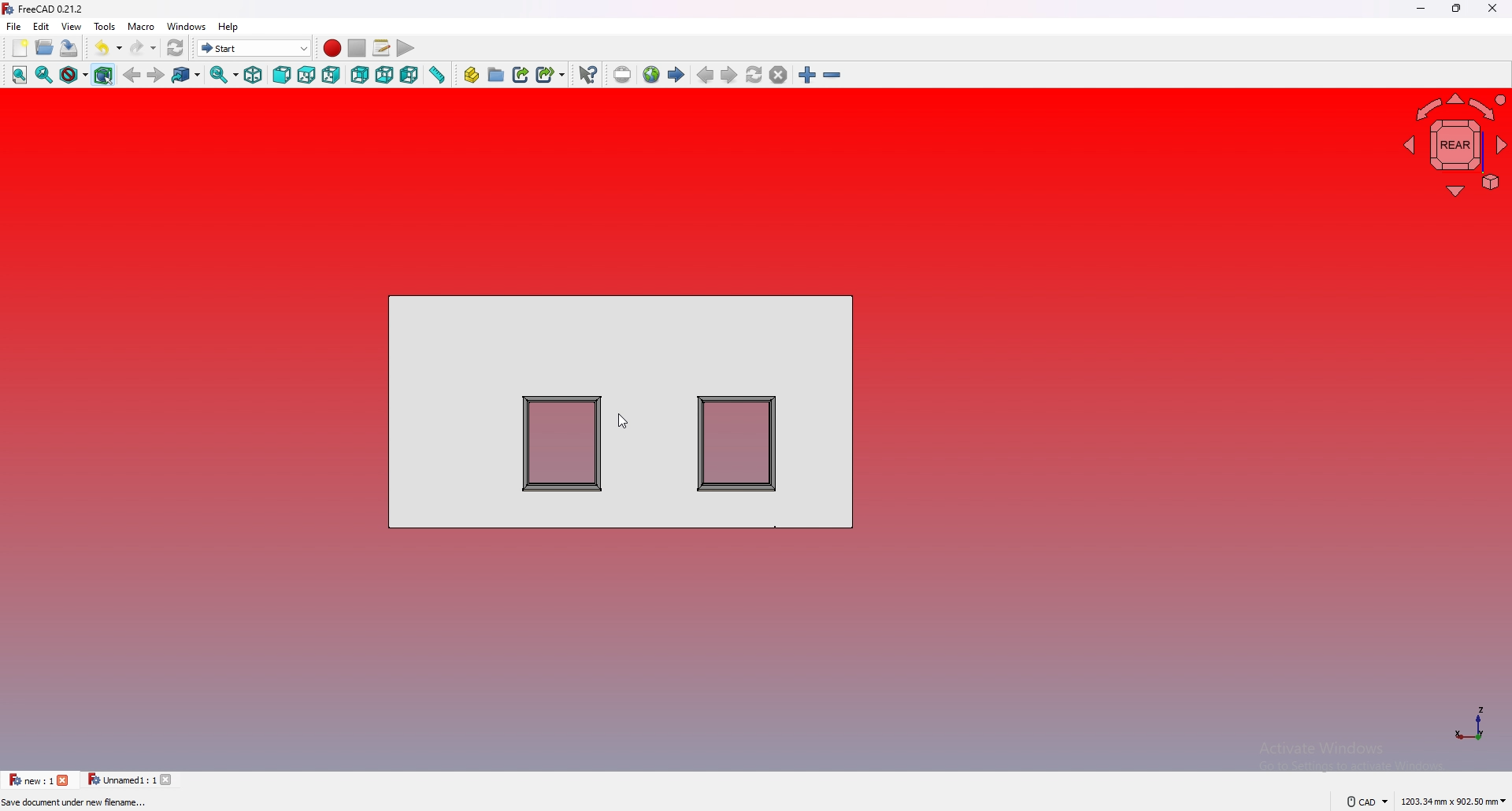  Describe the element at coordinates (1469, 723) in the screenshot. I see `axis` at that location.